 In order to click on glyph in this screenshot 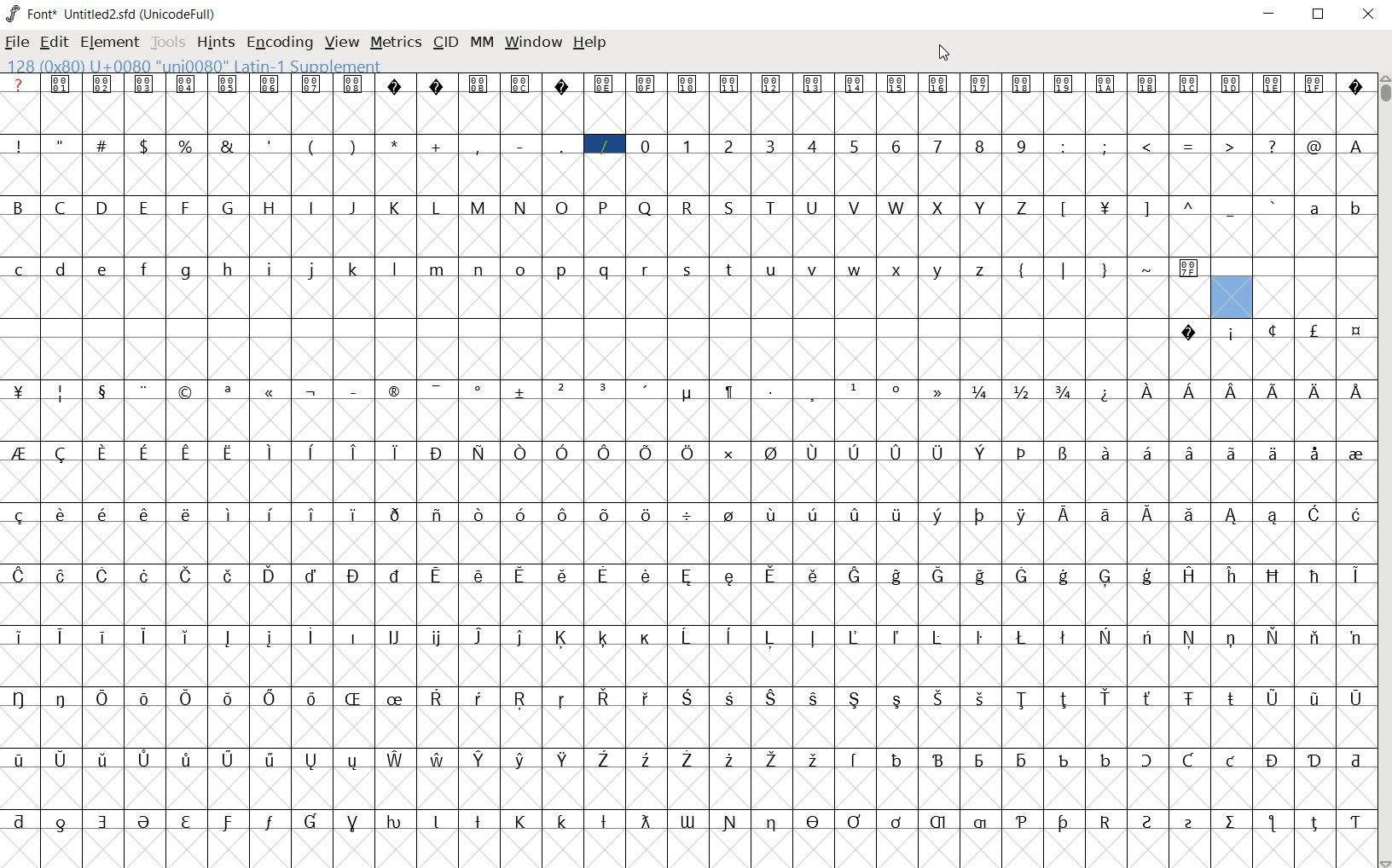, I will do `click(270, 208)`.